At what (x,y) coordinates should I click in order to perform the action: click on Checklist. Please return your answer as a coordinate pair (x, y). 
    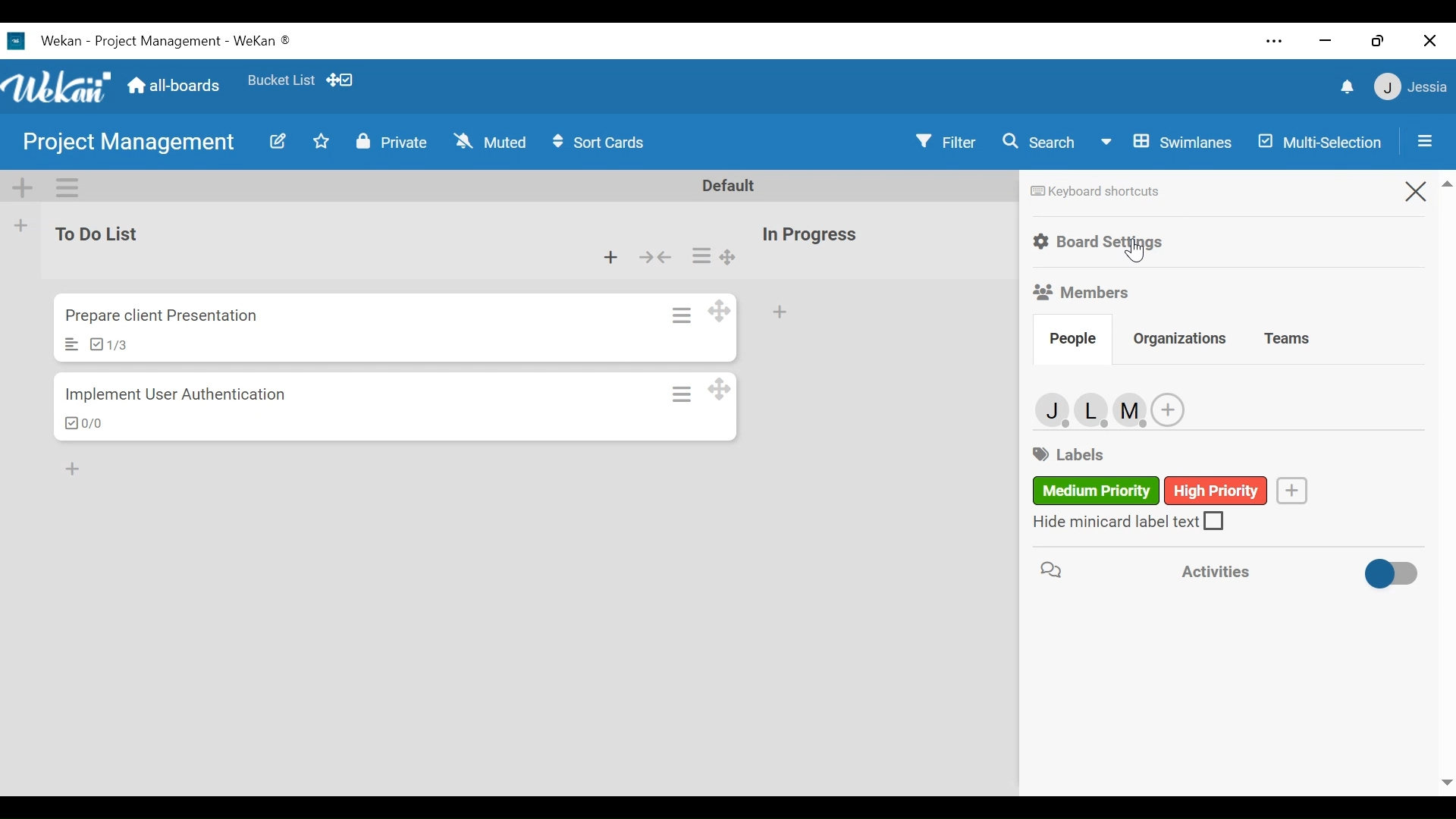
    Looking at the image, I should click on (106, 344).